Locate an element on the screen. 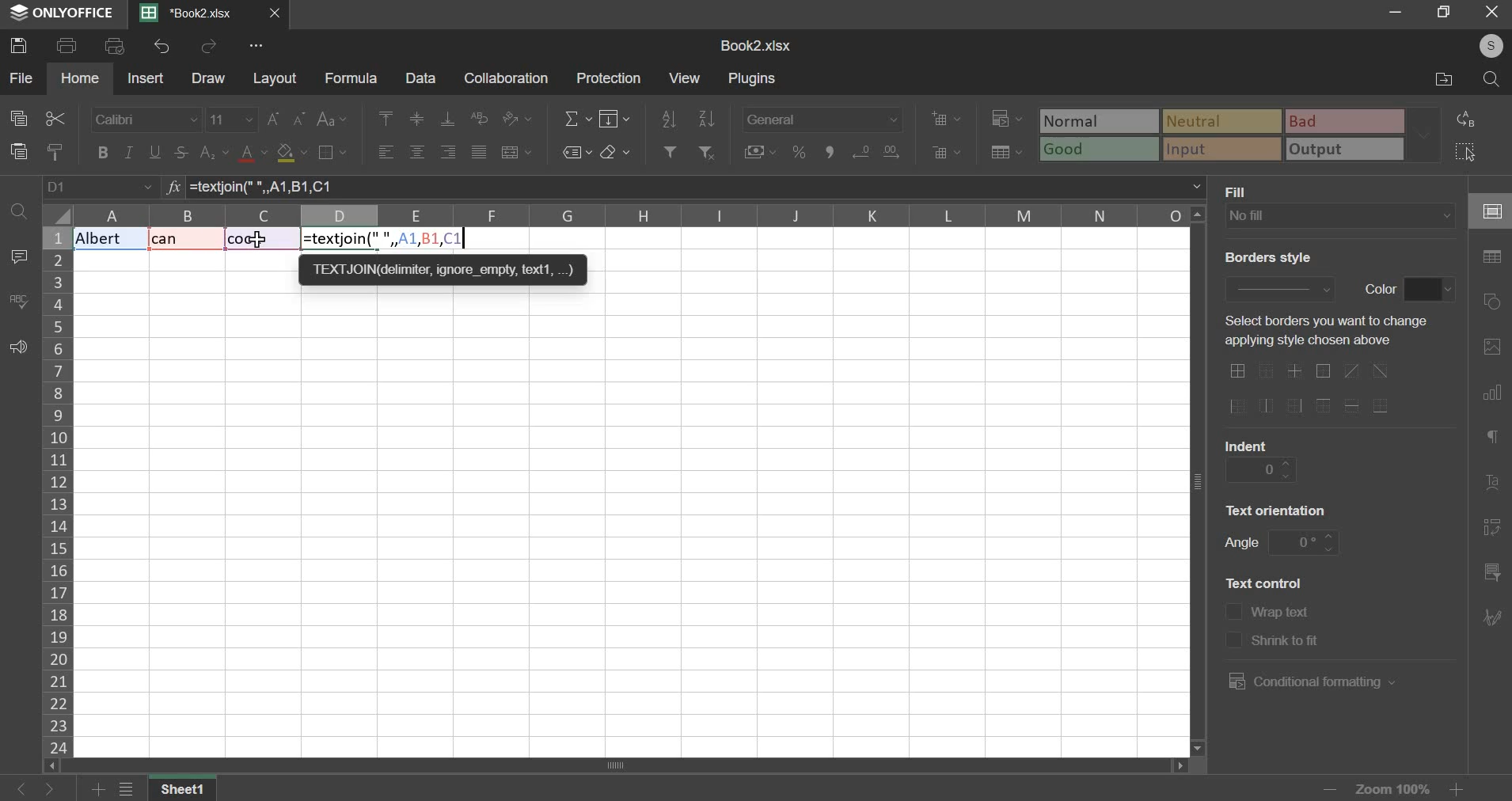 Image resolution: width=1512 pixels, height=801 pixels. text art is located at coordinates (1492, 487).